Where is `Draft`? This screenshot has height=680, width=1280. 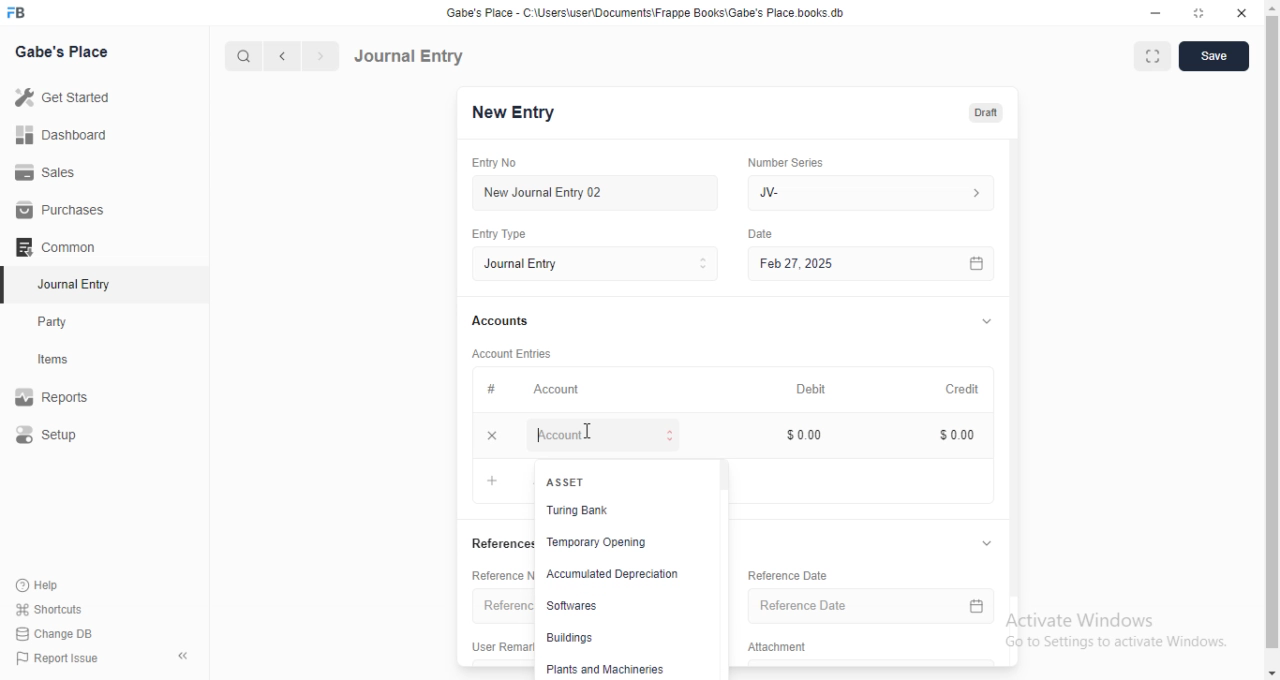 Draft is located at coordinates (989, 112).